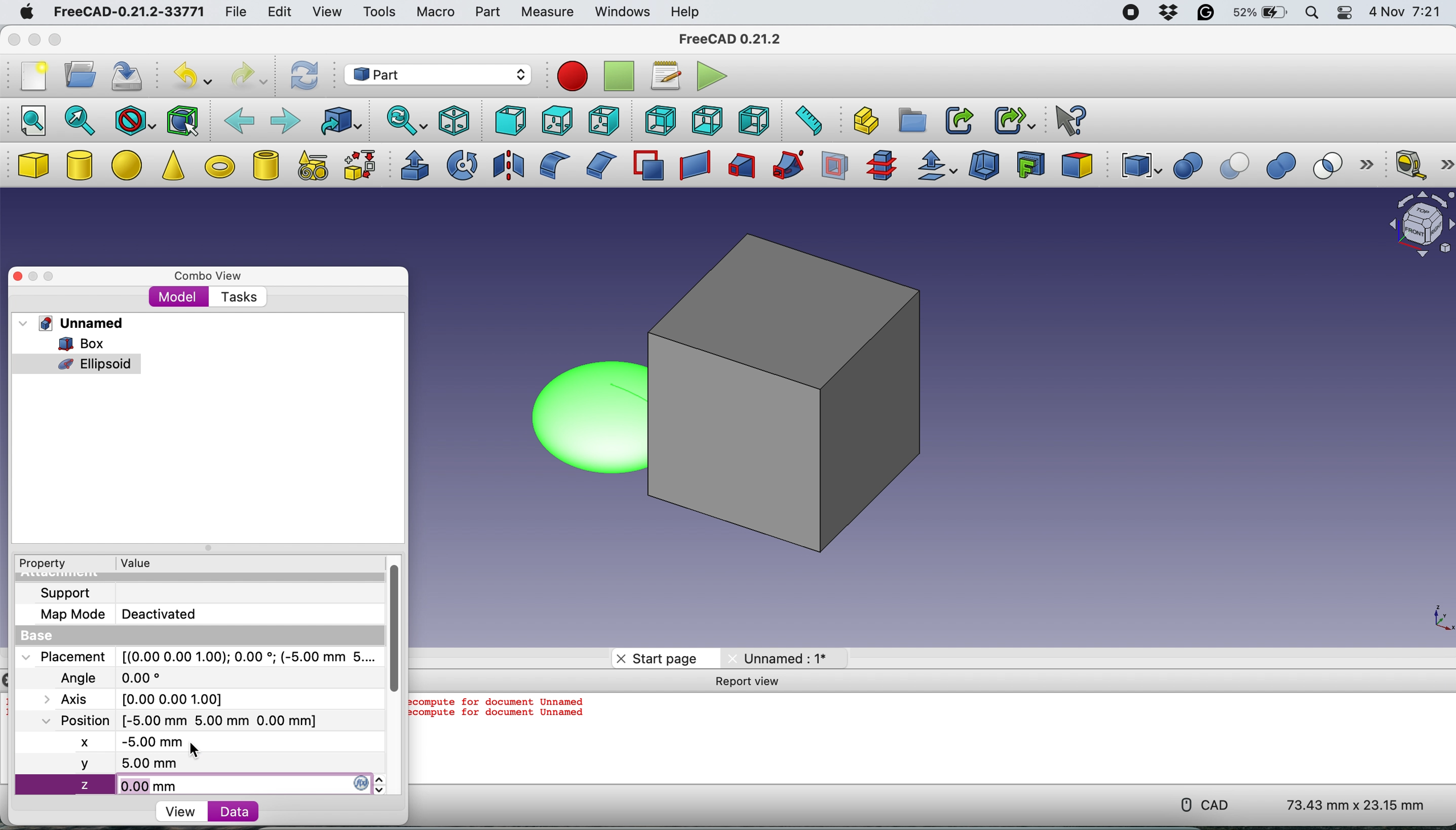 This screenshot has height=830, width=1456. Describe the element at coordinates (435, 13) in the screenshot. I see `macro` at that location.